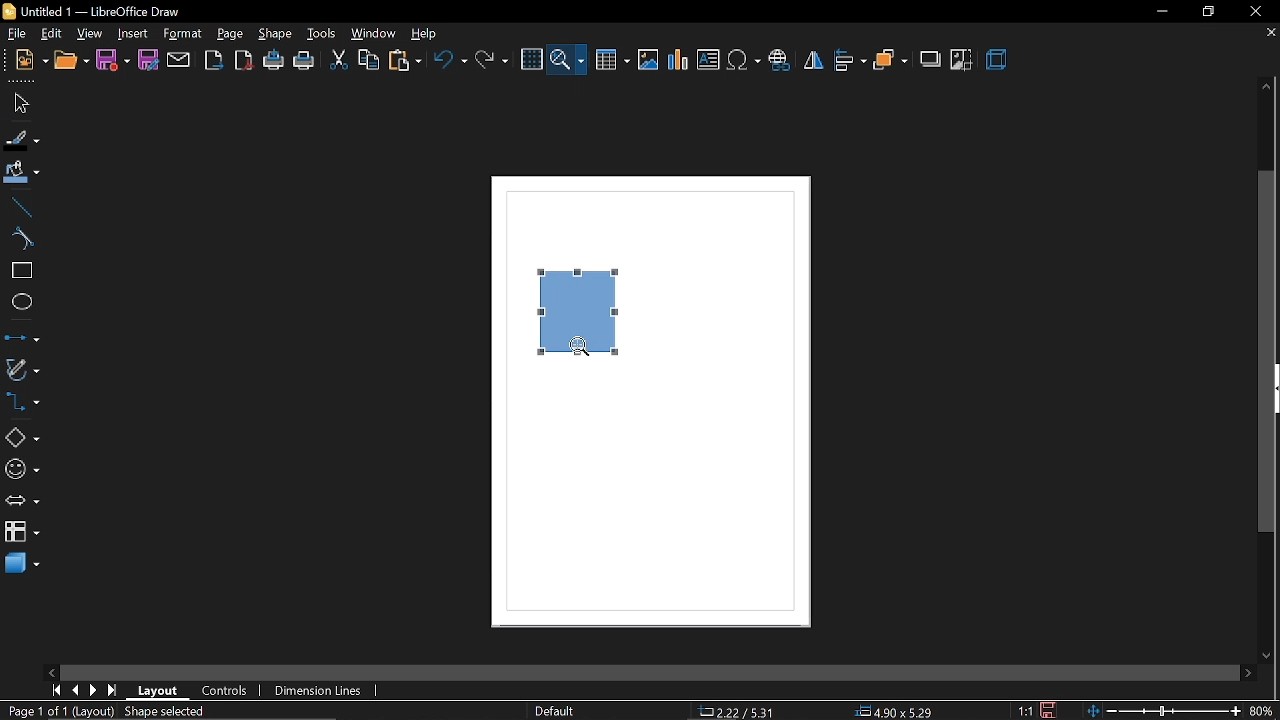 The width and height of the screenshot is (1280, 720). Describe the element at coordinates (21, 471) in the screenshot. I see `symbol shapes` at that location.